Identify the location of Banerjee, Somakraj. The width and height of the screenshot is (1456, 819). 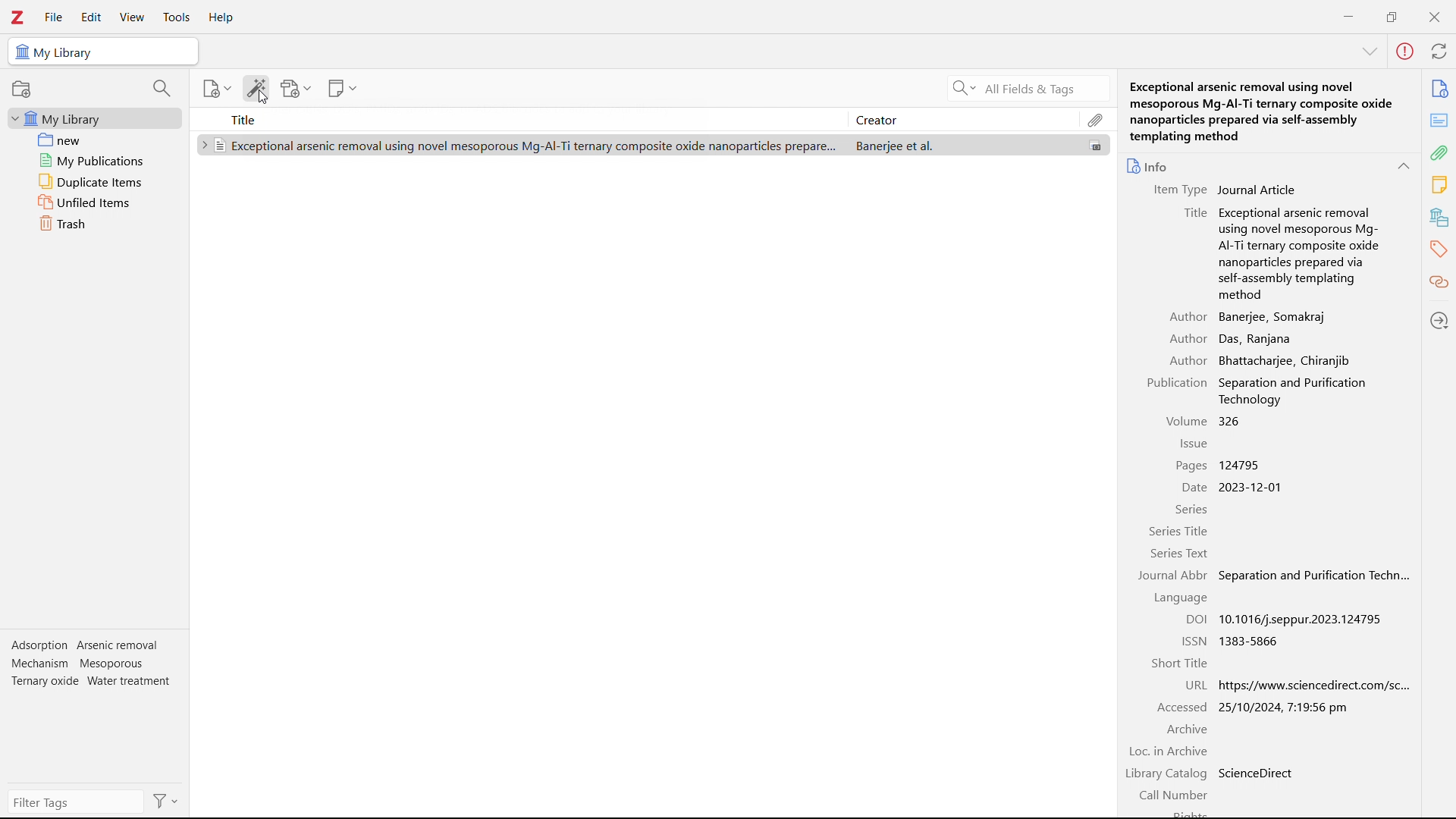
(1274, 317).